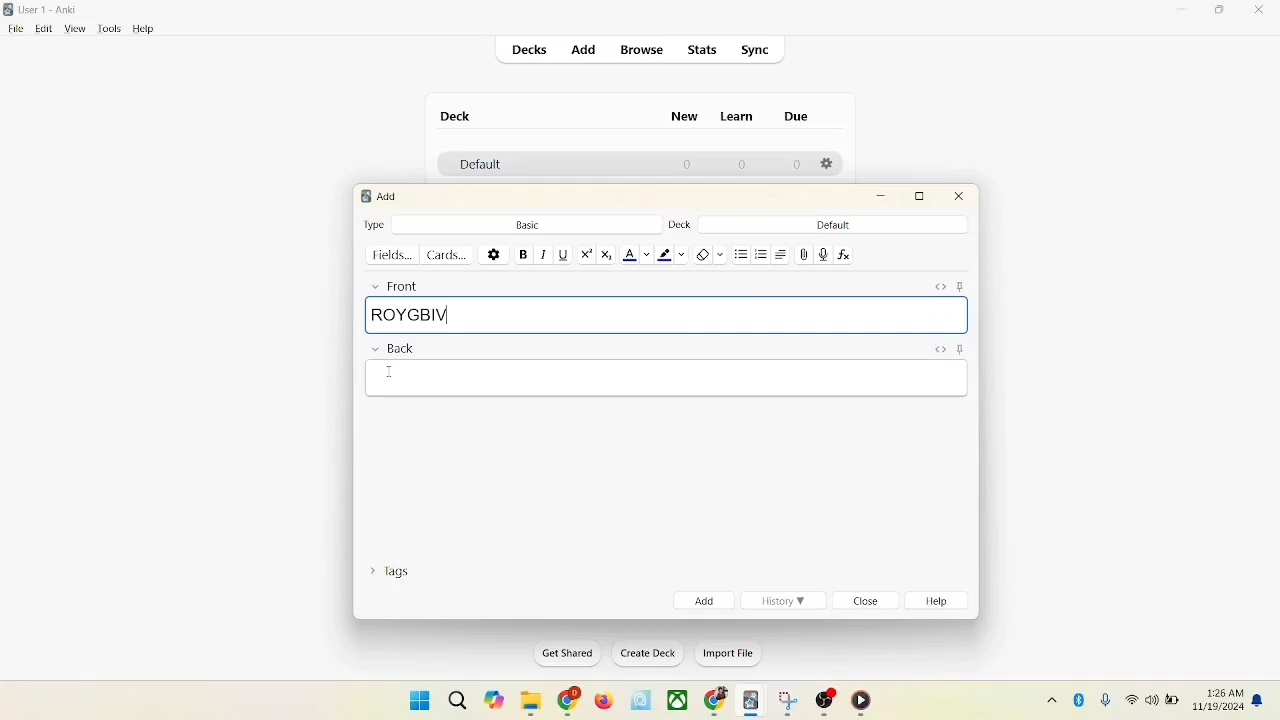 This screenshot has width=1280, height=720. I want to click on file, so click(13, 29).